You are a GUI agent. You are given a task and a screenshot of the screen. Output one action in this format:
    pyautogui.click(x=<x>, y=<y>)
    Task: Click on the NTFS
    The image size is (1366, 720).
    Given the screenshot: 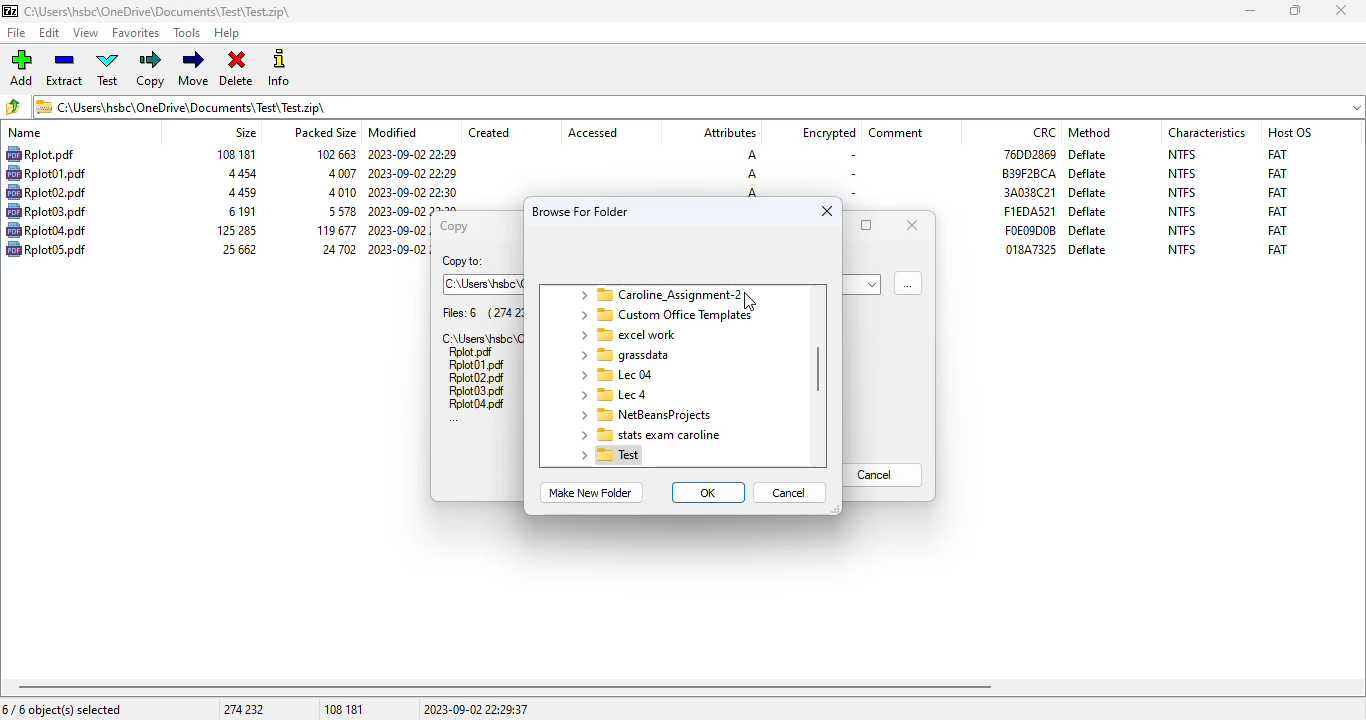 What is the action you would take?
    pyautogui.click(x=1182, y=211)
    